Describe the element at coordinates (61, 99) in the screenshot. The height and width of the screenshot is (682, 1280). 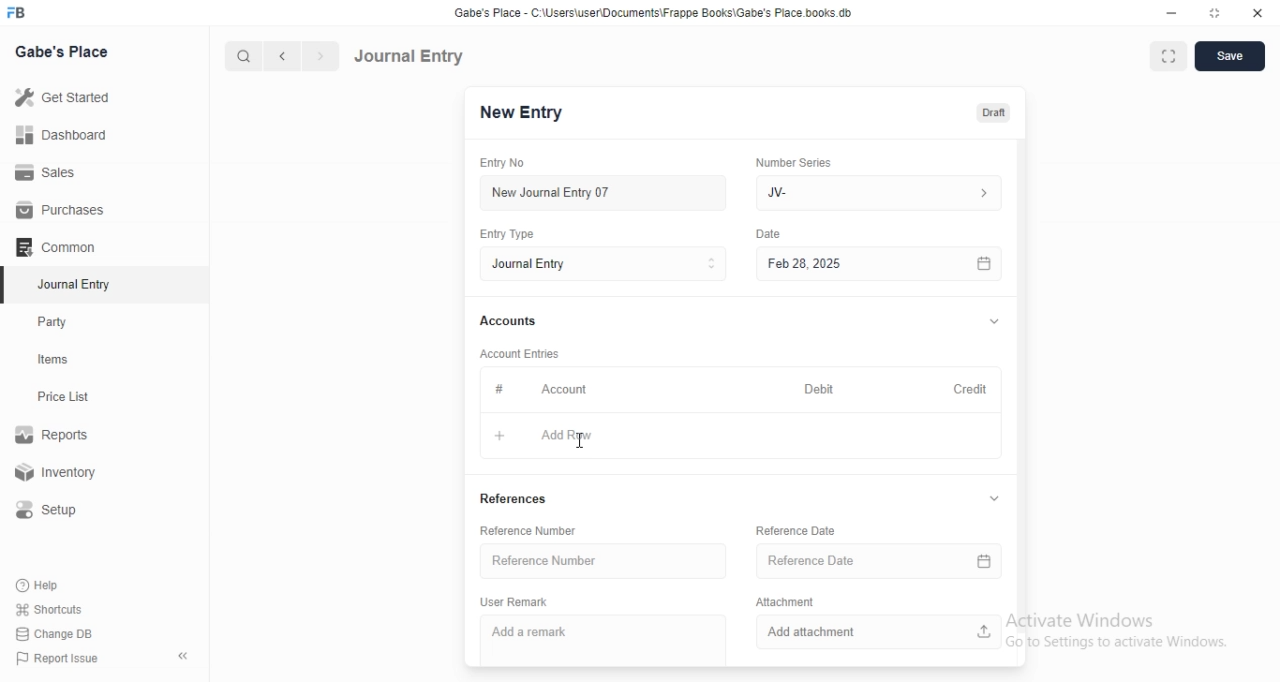
I see `Get Started` at that location.